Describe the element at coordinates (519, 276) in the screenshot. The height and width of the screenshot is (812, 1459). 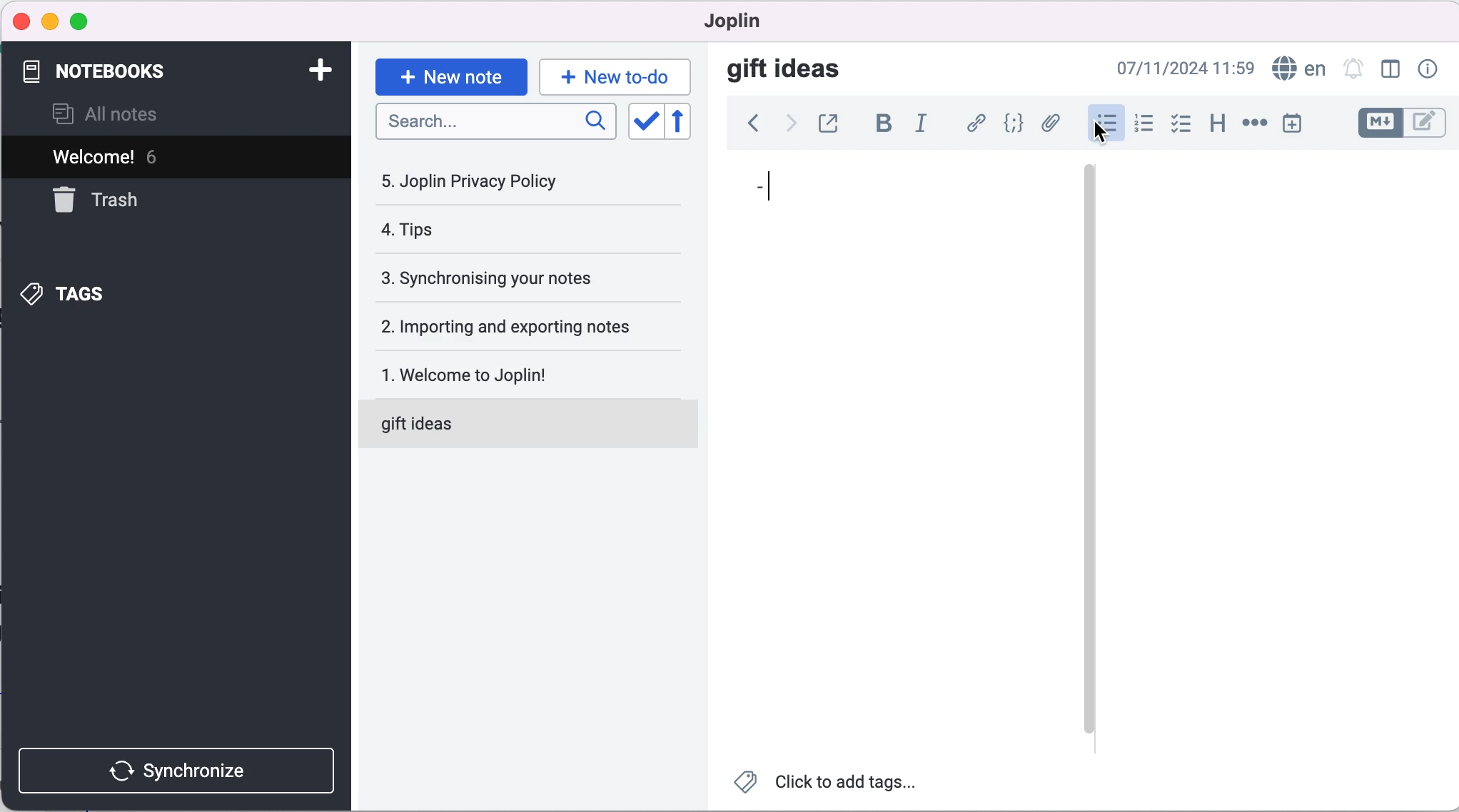
I see `synchronising your notes` at that location.